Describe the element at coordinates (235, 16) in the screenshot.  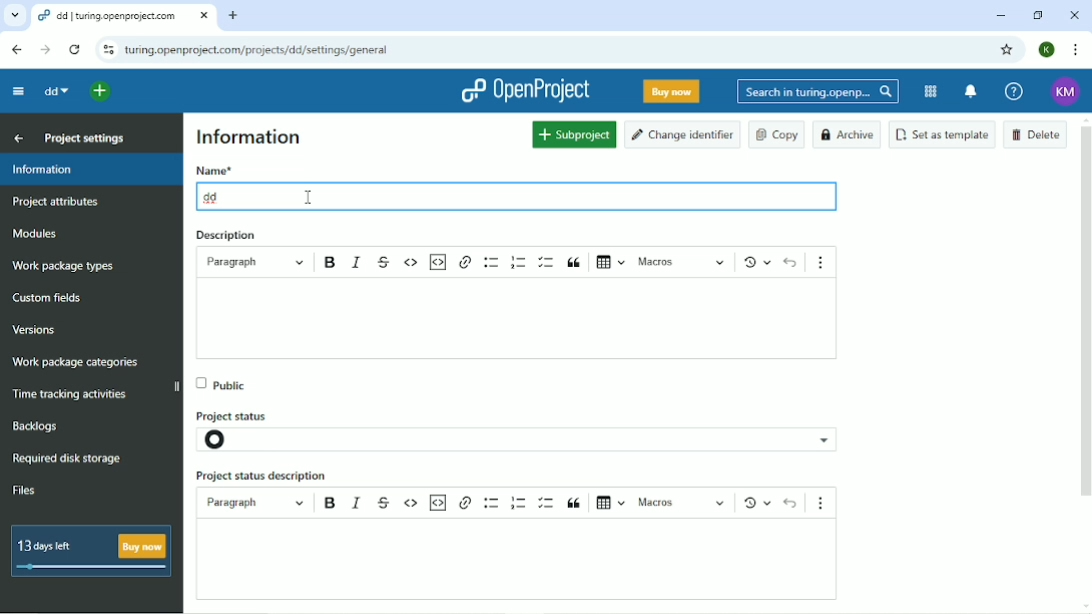
I see `New tab` at that location.